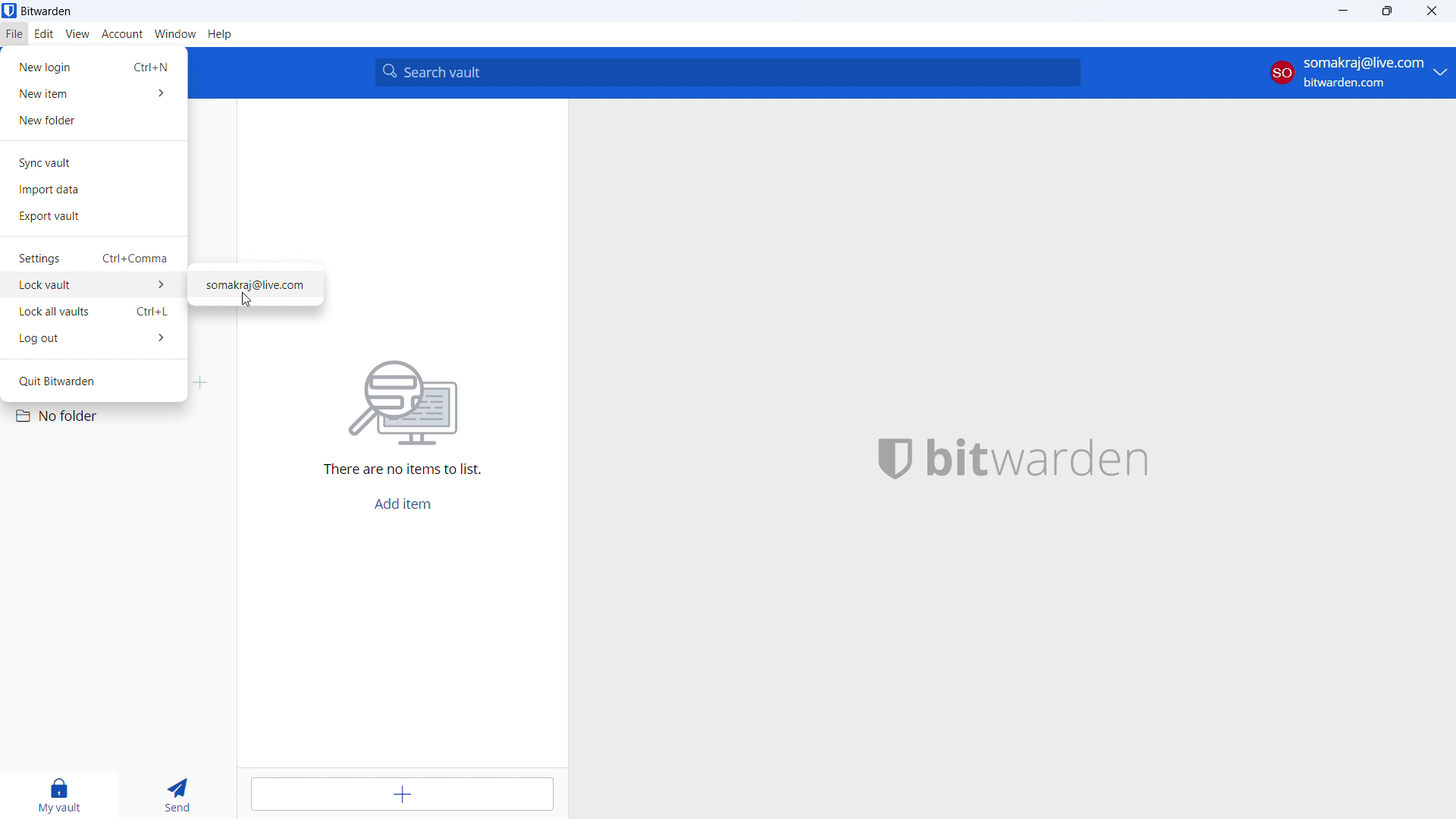 This screenshot has height=819, width=1456. I want to click on import date, so click(94, 190).